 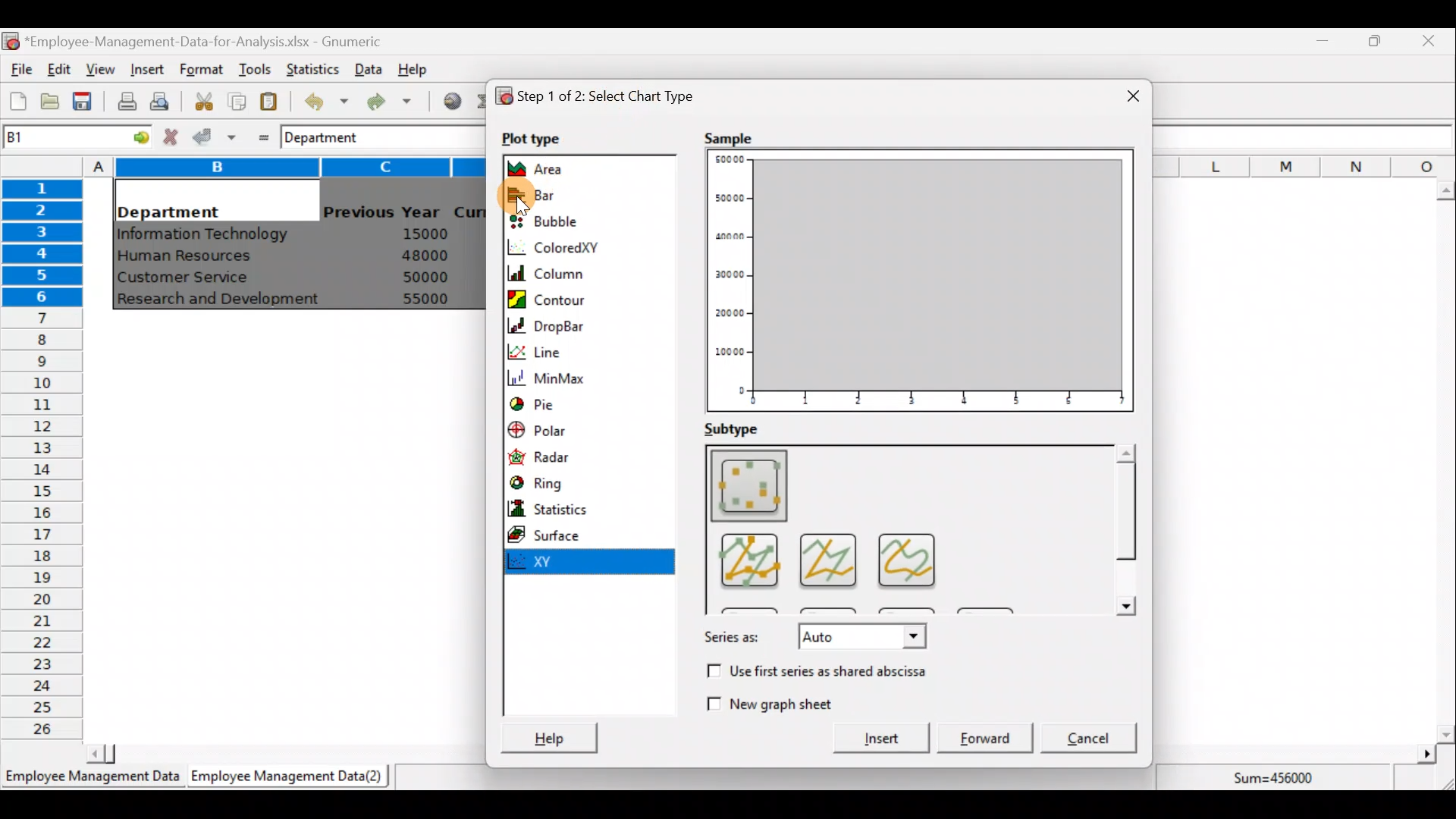 What do you see at coordinates (192, 257) in the screenshot?
I see `Human Resources` at bounding box center [192, 257].